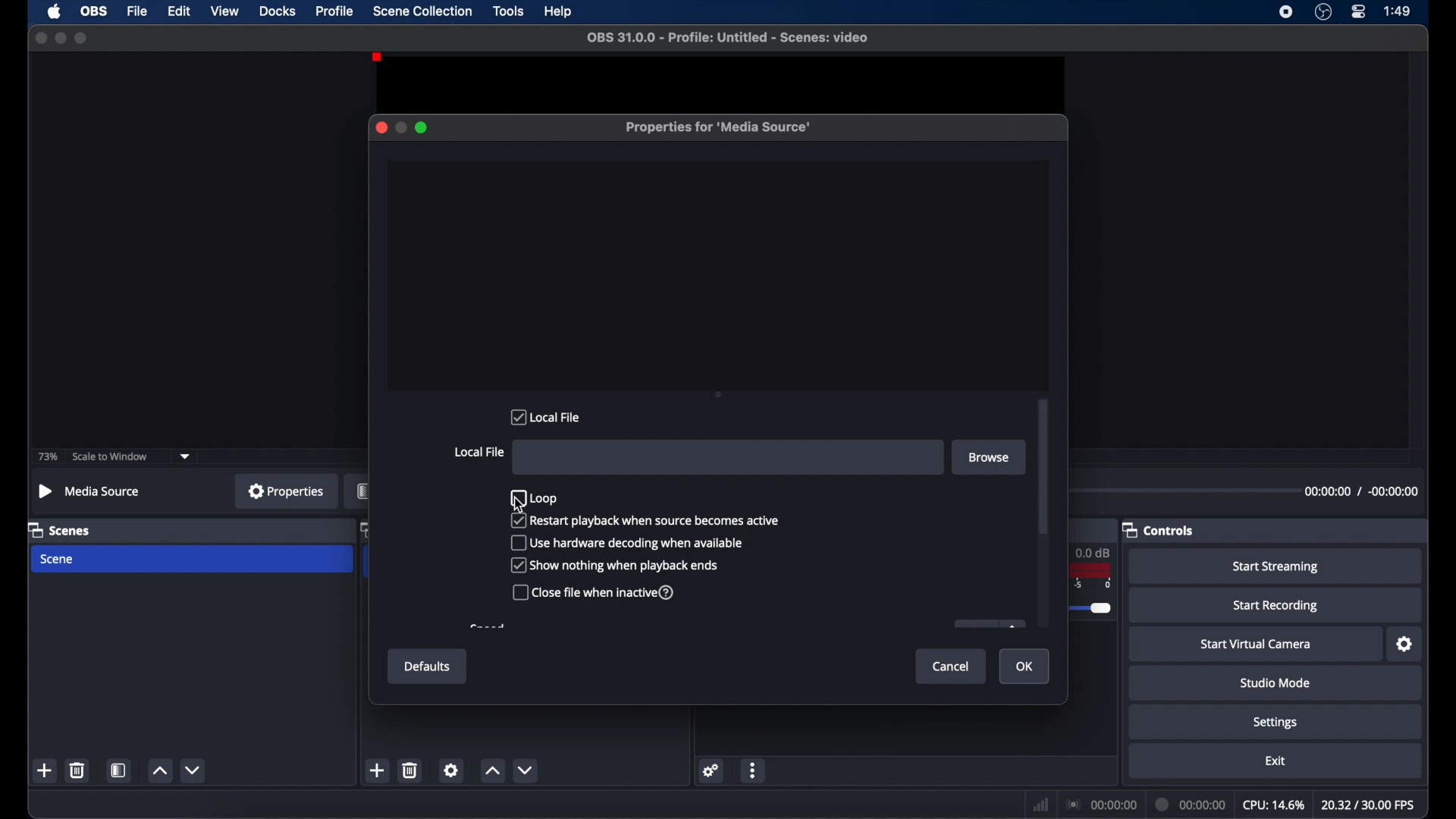 This screenshot has height=819, width=1456. What do you see at coordinates (119, 769) in the screenshot?
I see `scene filters` at bounding box center [119, 769].